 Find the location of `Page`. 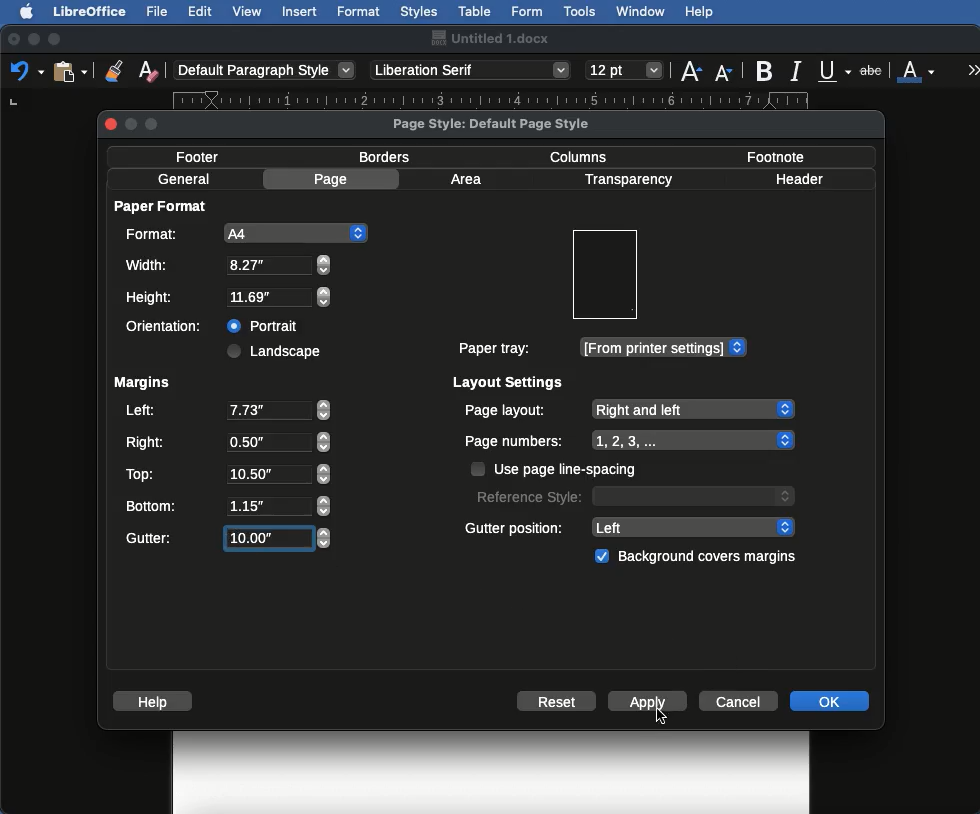

Page is located at coordinates (334, 179).